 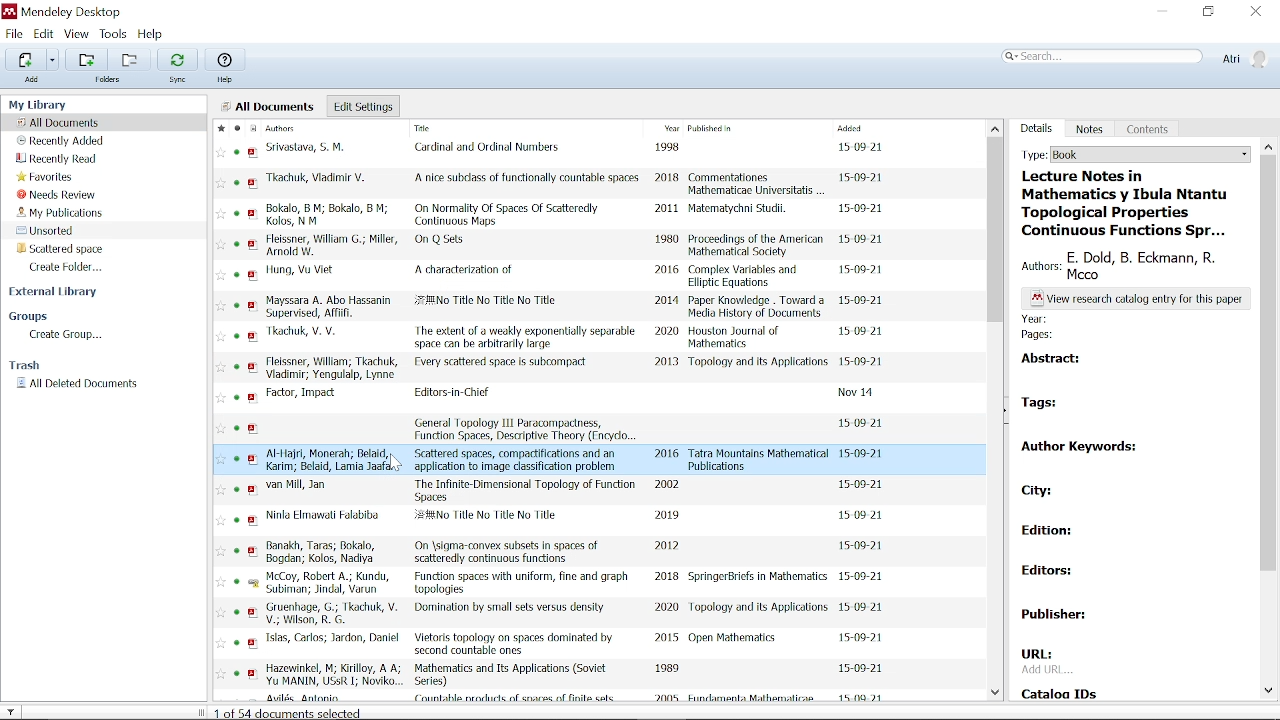 I want to click on Minimize, so click(x=1162, y=12).